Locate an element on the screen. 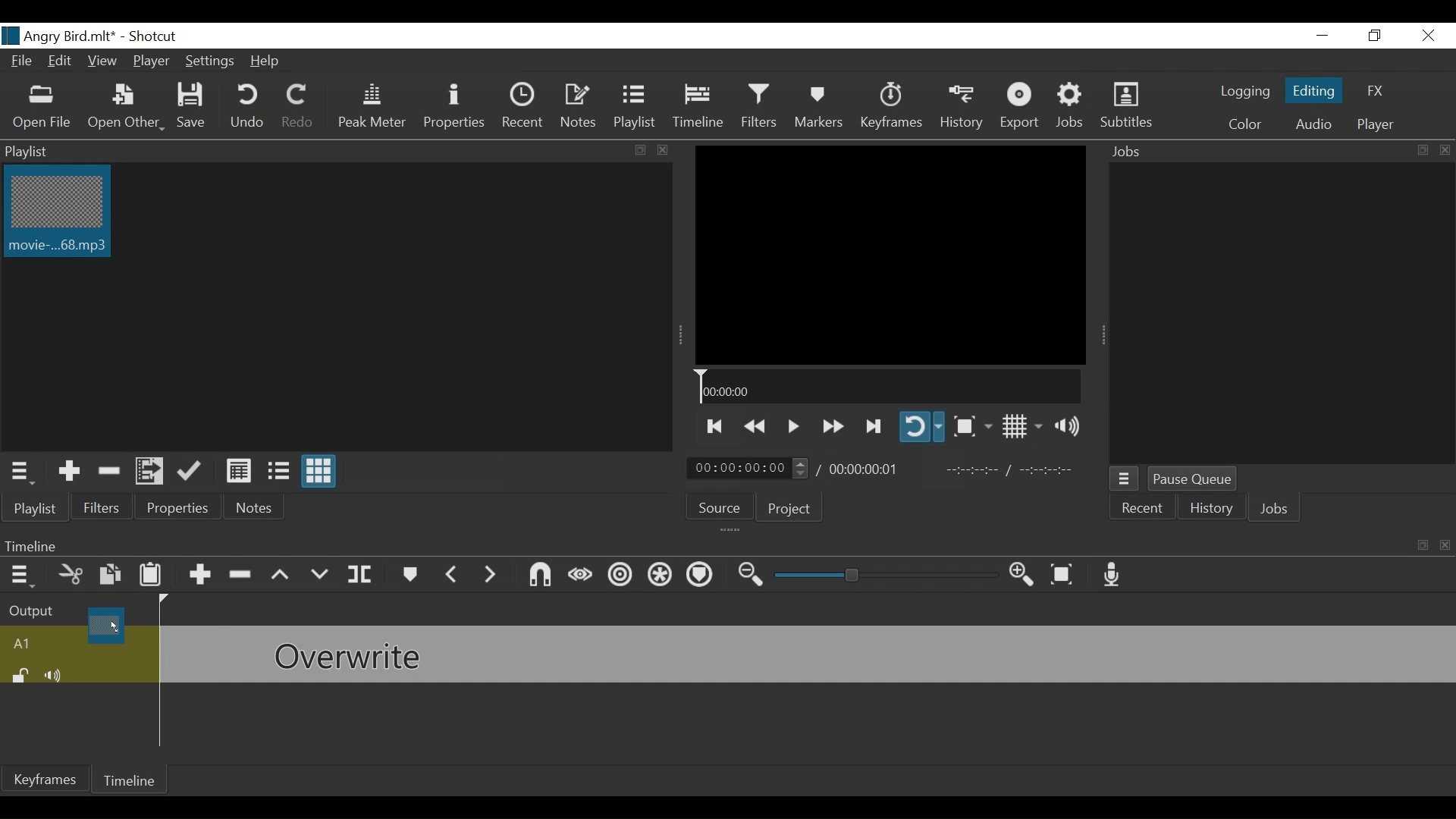 Image resolution: width=1456 pixels, height=819 pixels. Skip to the next to point is located at coordinates (716, 424).